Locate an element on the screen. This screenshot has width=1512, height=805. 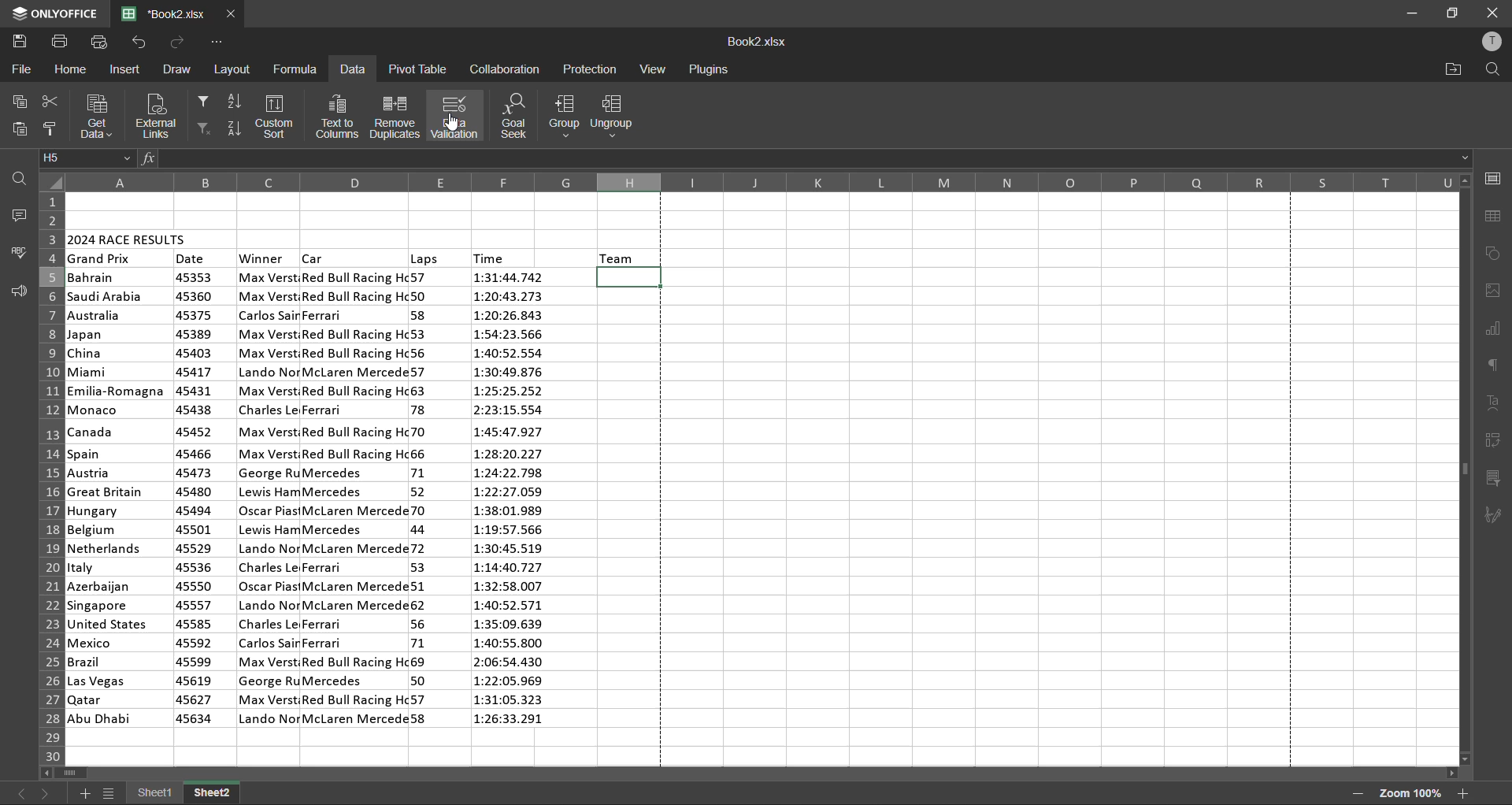
cell settings is located at coordinates (1492, 178).